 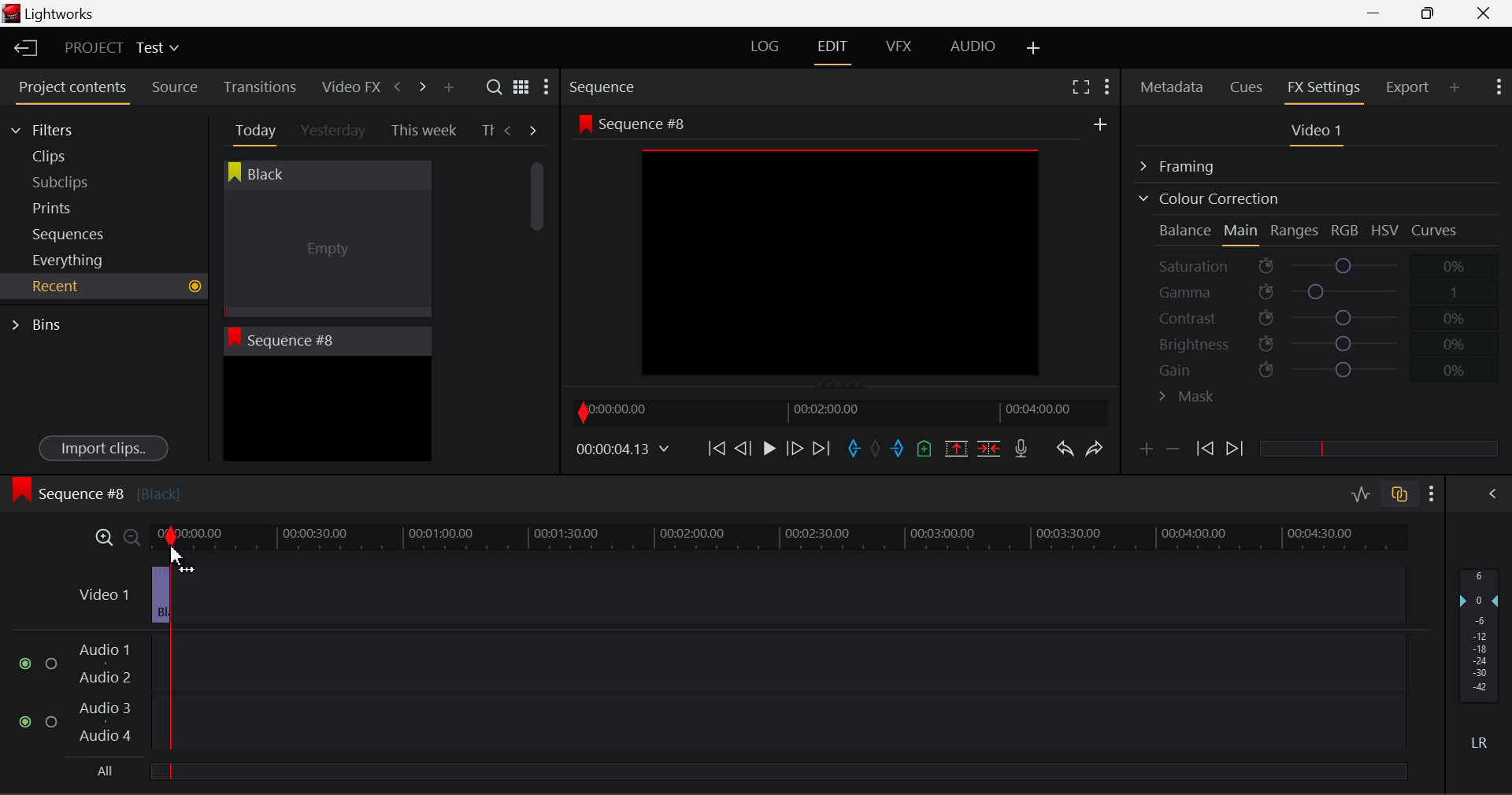 I want to click on Framing Section, so click(x=1190, y=164).